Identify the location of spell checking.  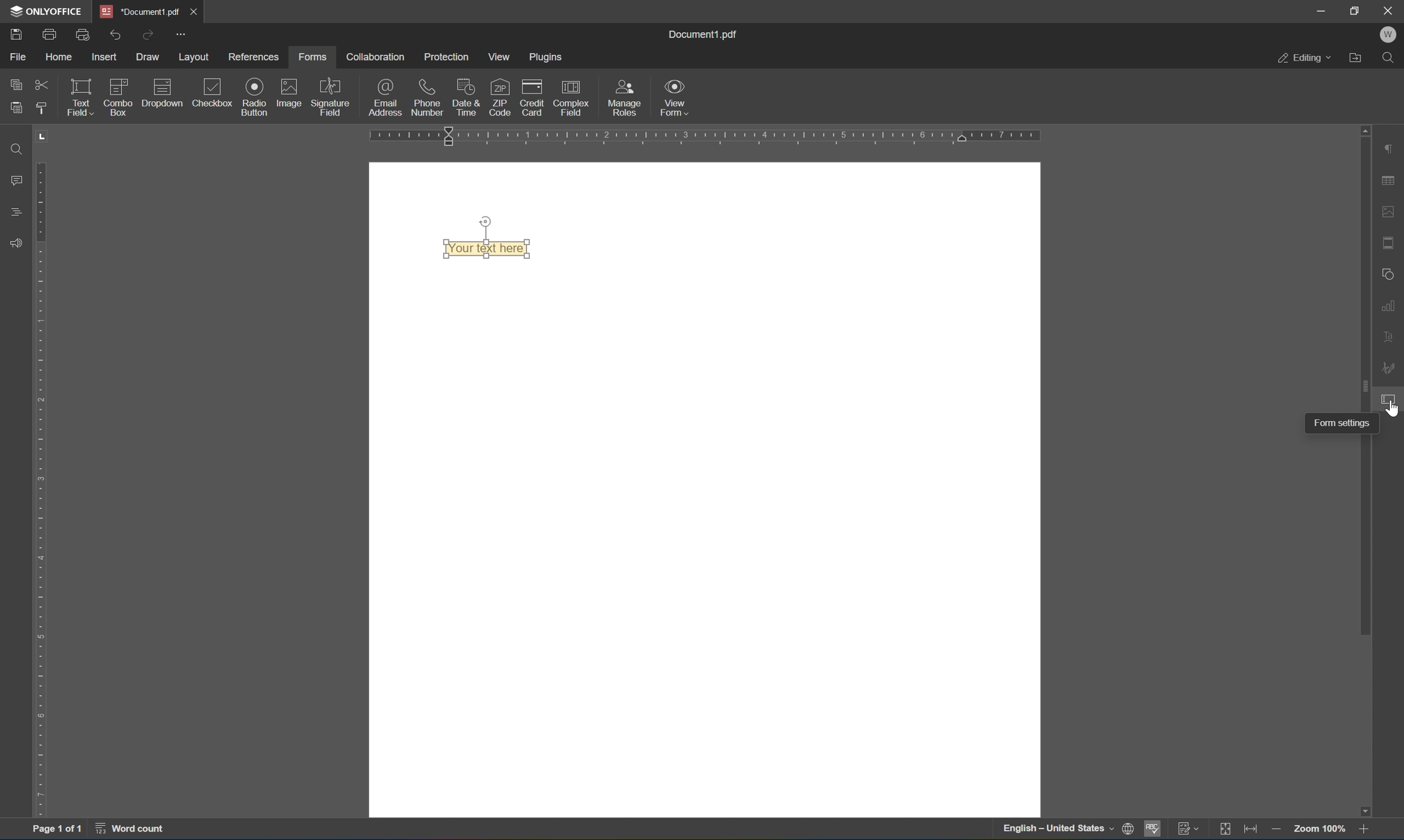
(1152, 830).